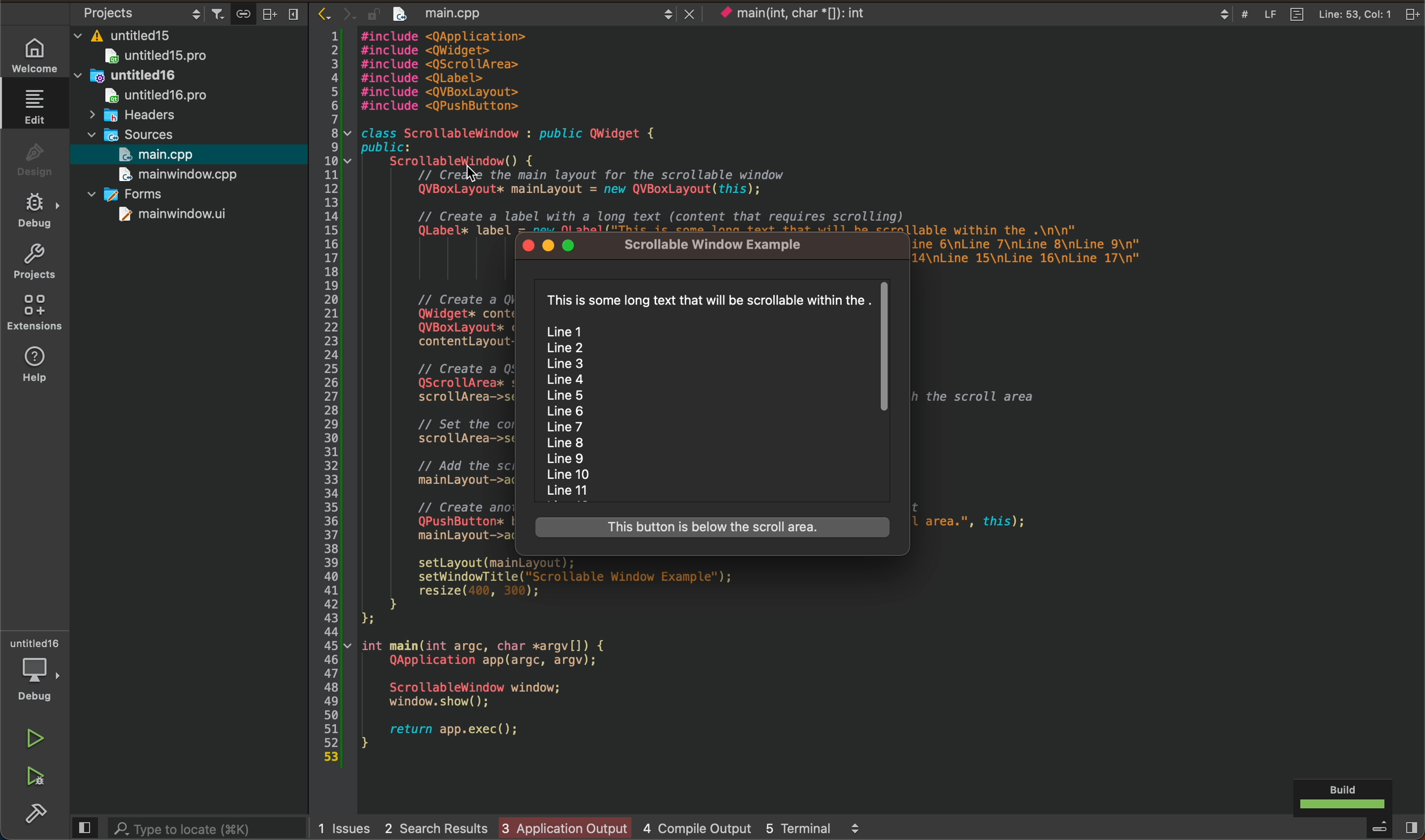 The image size is (1425, 840). I want to click on logs, so click(602, 827).